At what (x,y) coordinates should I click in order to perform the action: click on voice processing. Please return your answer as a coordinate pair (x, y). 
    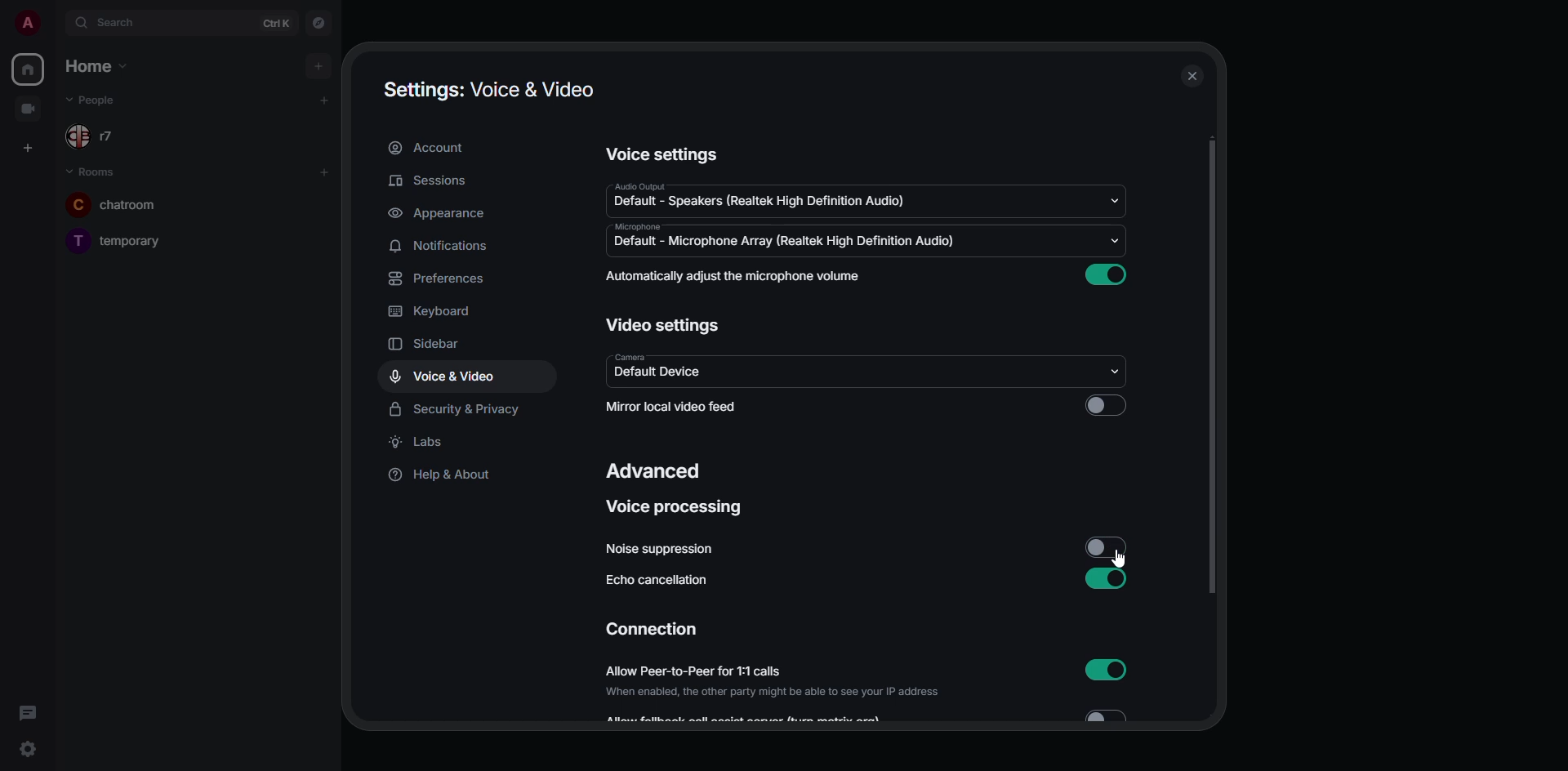
    Looking at the image, I should click on (677, 510).